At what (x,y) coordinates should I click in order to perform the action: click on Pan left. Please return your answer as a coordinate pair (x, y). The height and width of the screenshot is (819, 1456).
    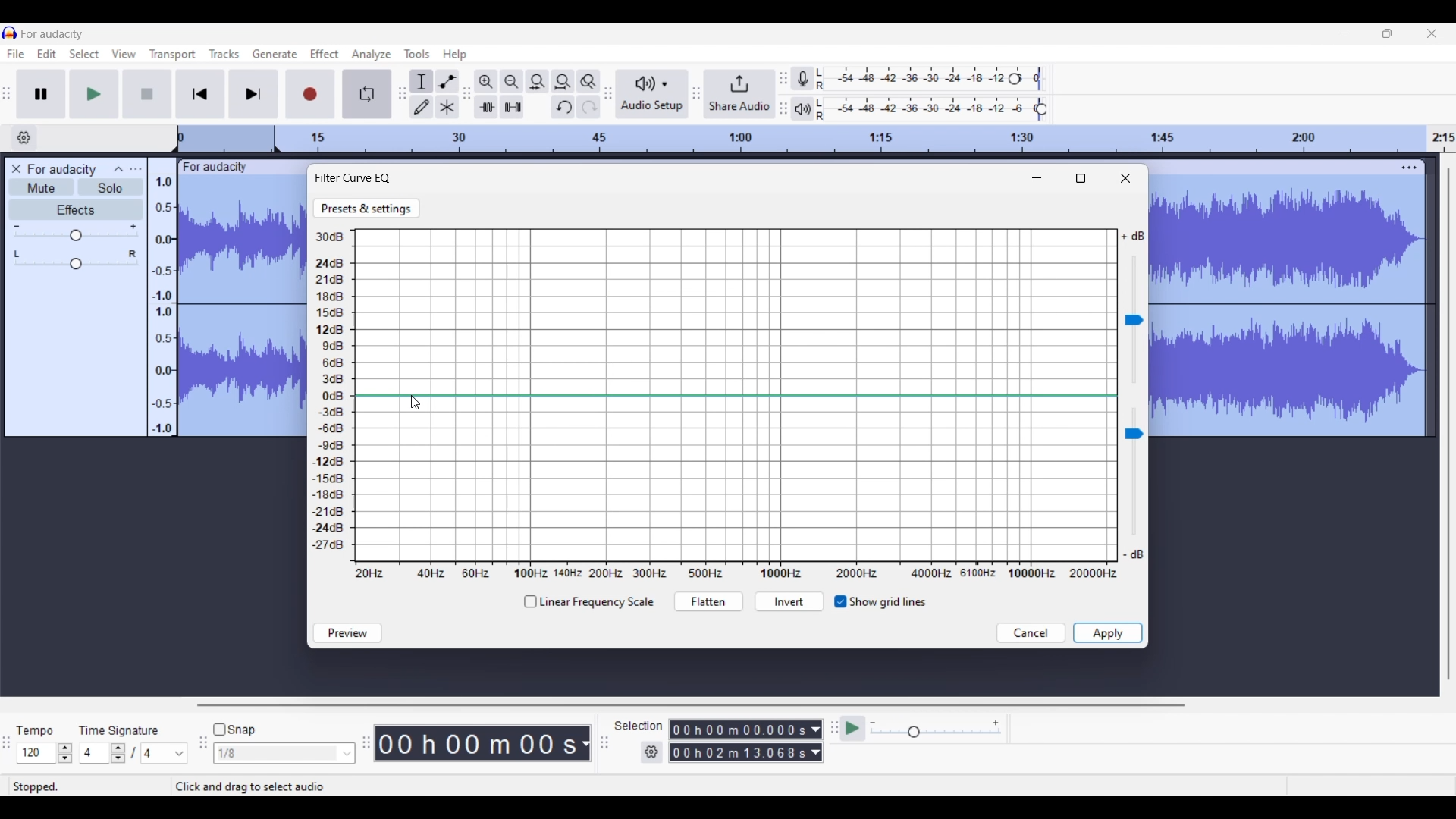
    Looking at the image, I should click on (17, 254).